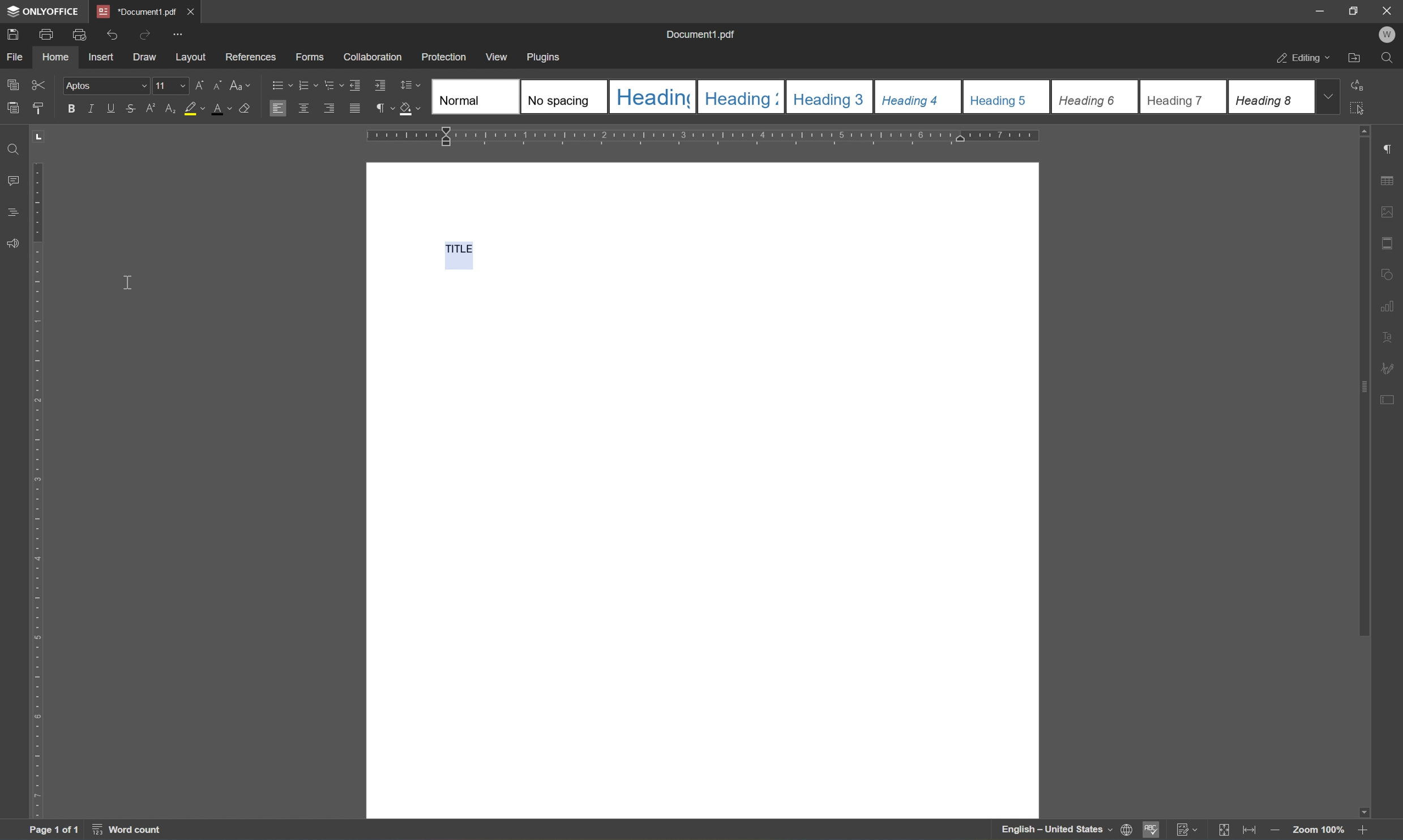 The height and width of the screenshot is (840, 1403). What do you see at coordinates (1328, 97) in the screenshot?
I see `drop down` at bounding box center [1328, 97].